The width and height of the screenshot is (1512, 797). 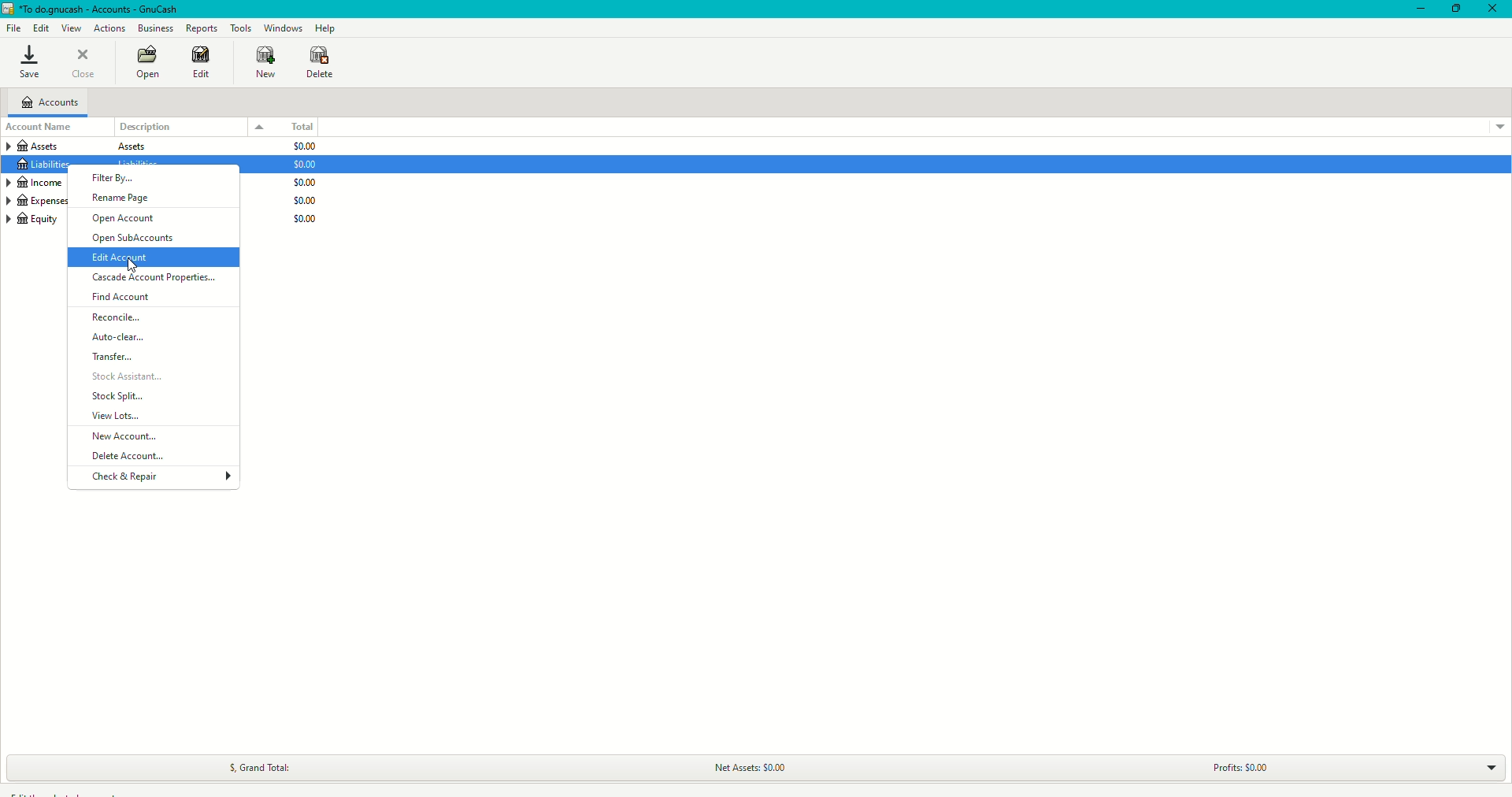 I want to click on Cascade Account Properties, so click(x=154, y=279).